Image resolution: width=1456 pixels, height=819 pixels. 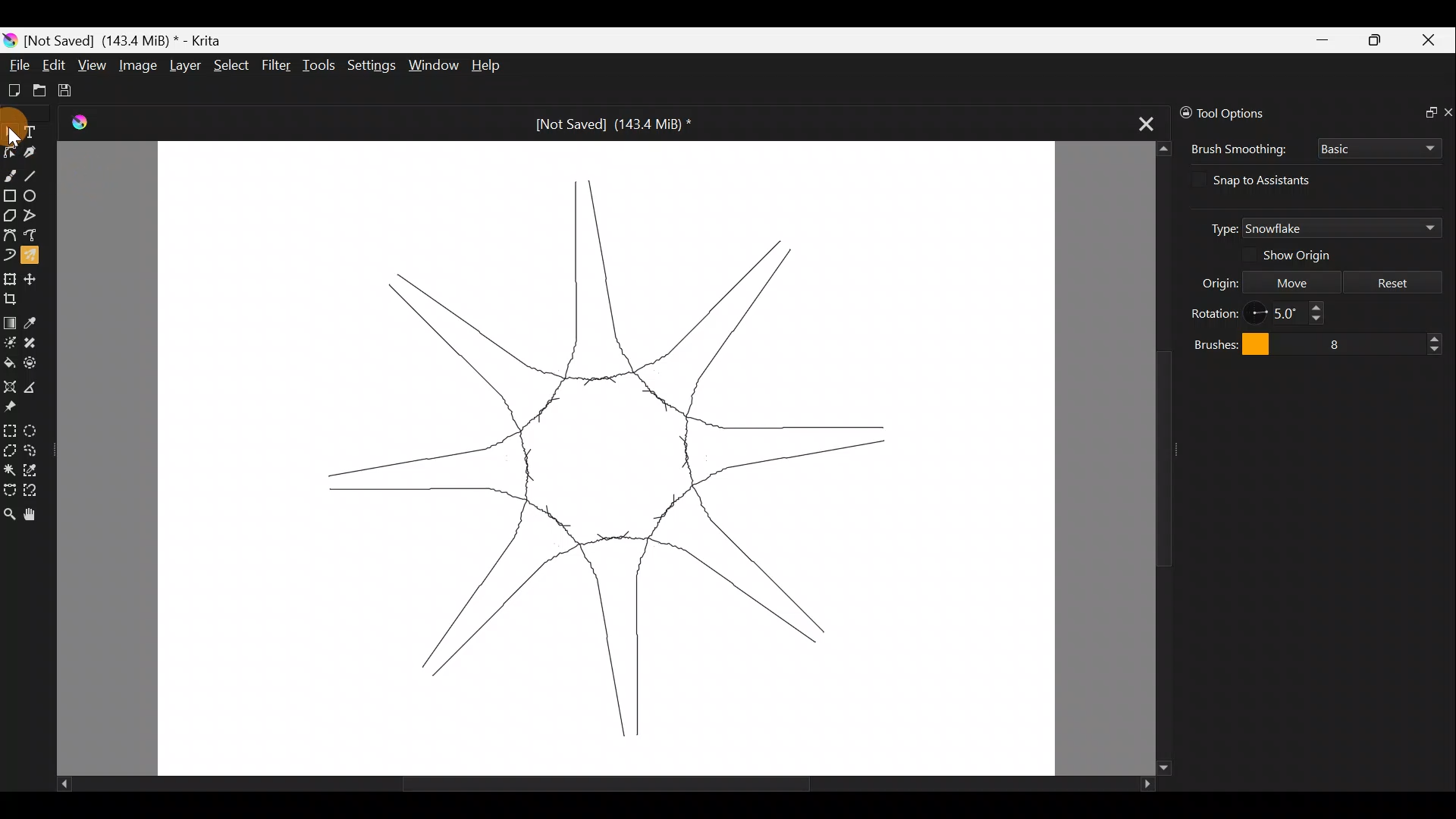 What do you see at coordinates (9, 342) in the screenshot?
I see `Colorize mask tool` at bounding box center [9, 342].